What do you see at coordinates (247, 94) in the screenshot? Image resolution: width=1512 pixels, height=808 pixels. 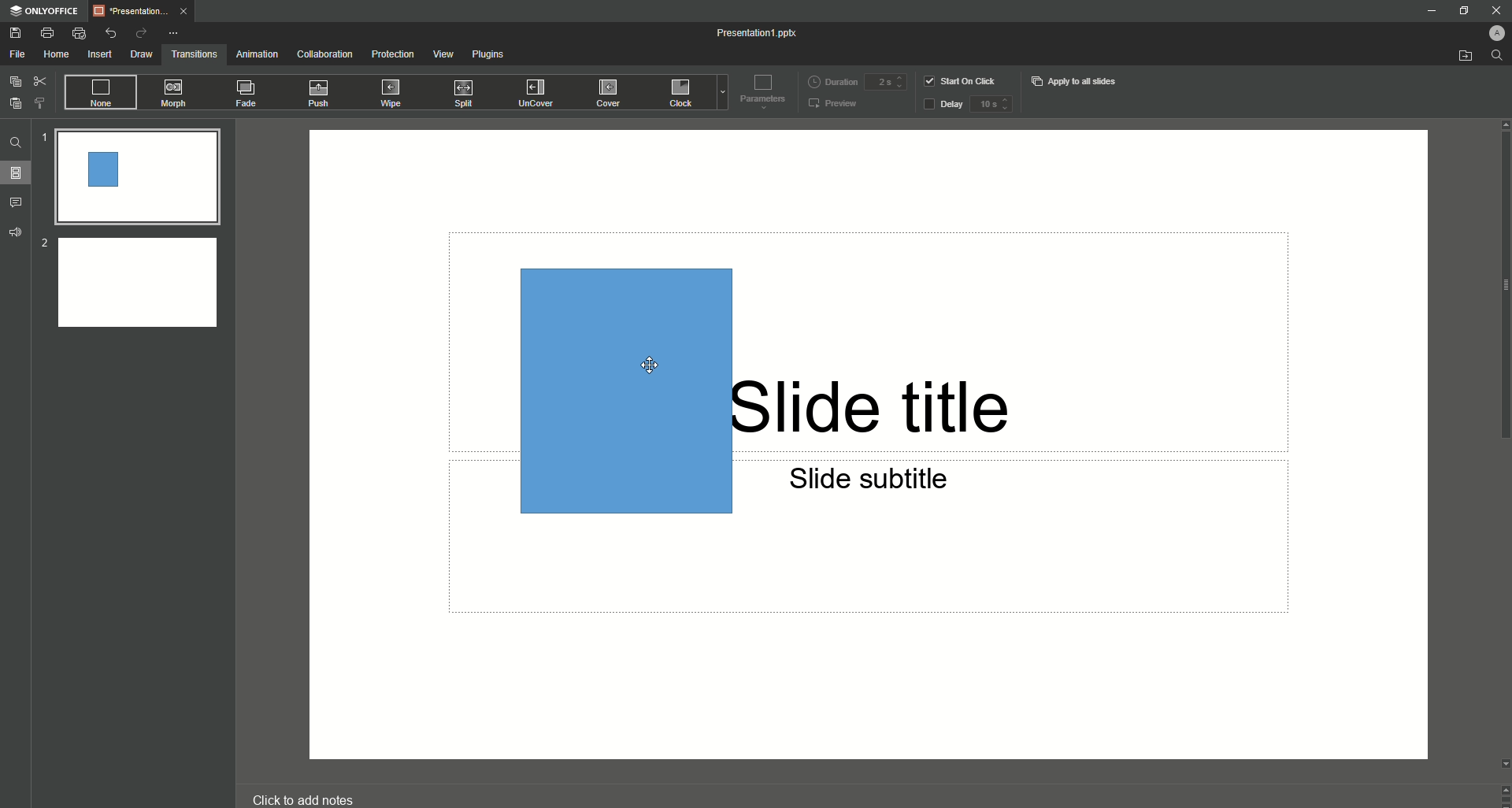 I see `Fade` at bounding box center [247, 94].